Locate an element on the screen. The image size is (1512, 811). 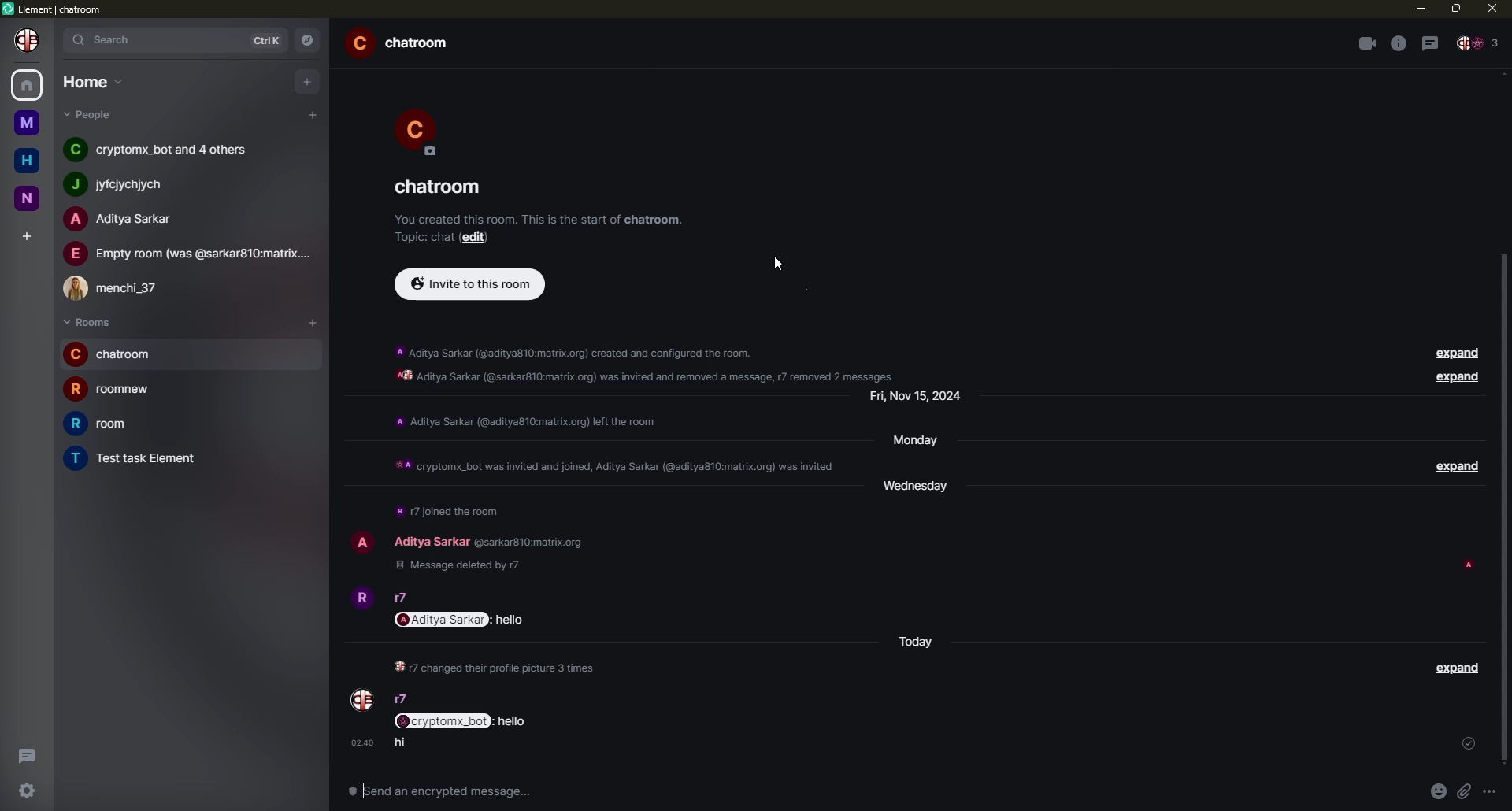
video is located at coordinates (1364, 43).